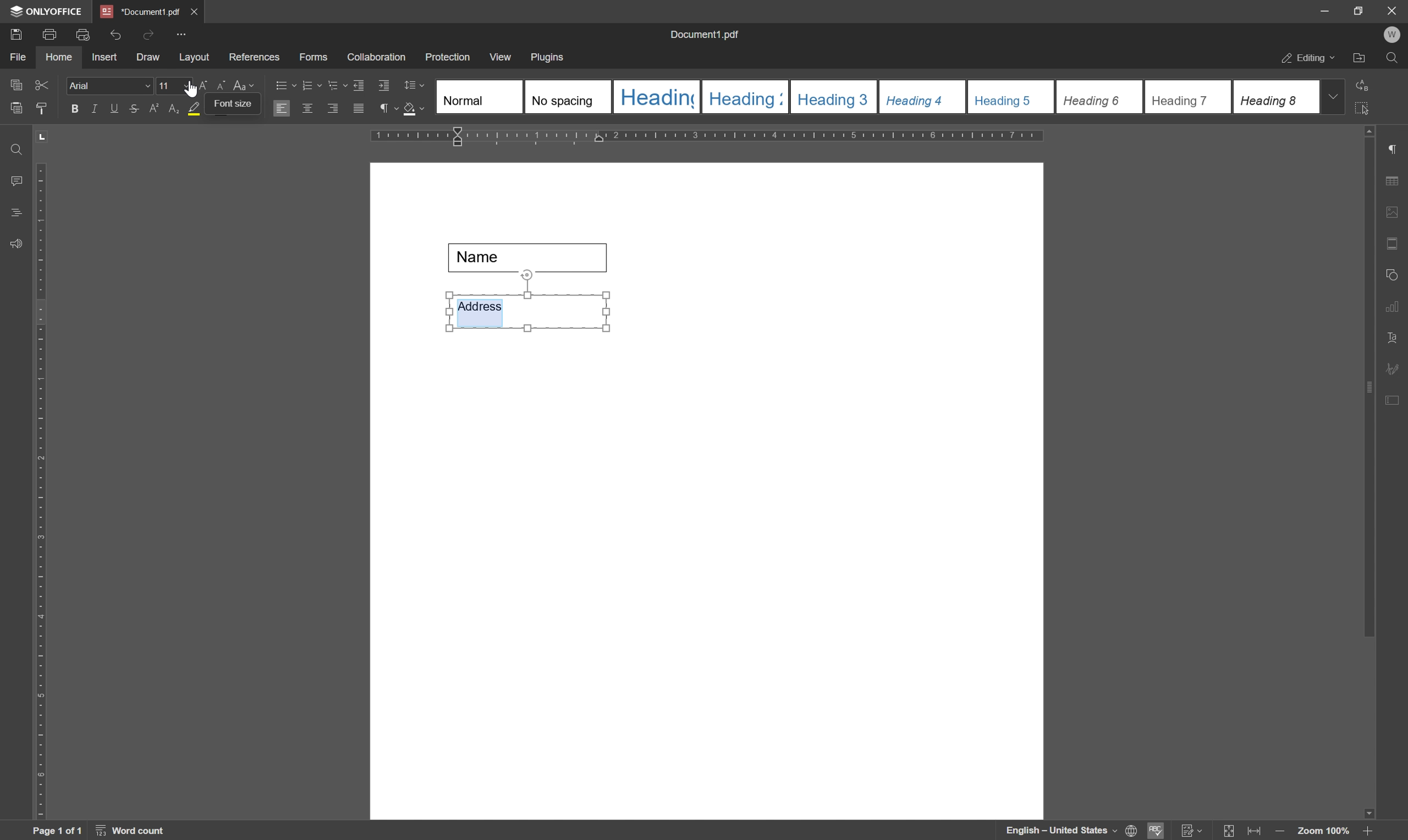  Describe the element at coordinates (16, 245) in the screenshot. I see `feedback & support` at that location.